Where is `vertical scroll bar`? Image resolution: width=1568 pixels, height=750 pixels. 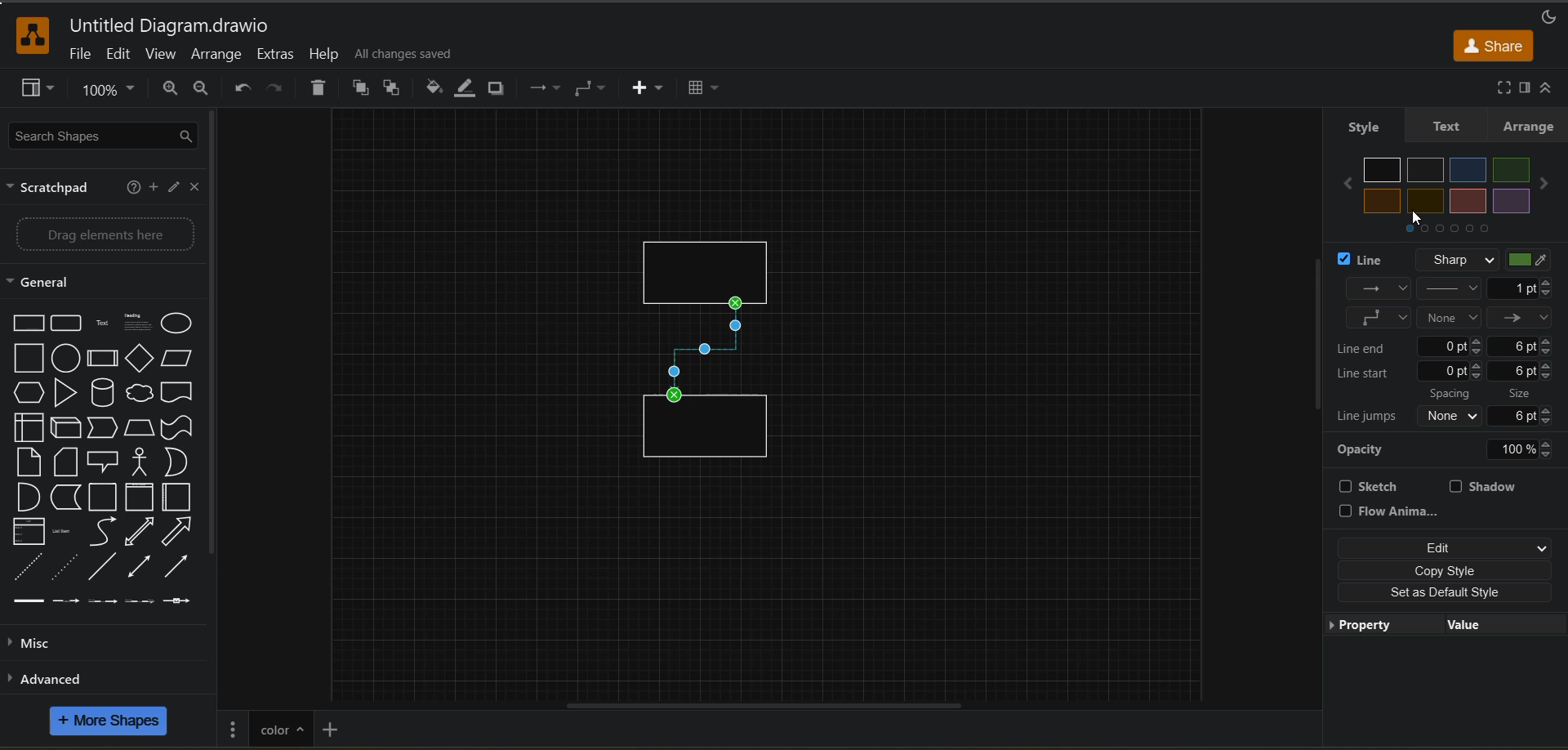 vertical scroll bar is located at coordinates (1312, 334).